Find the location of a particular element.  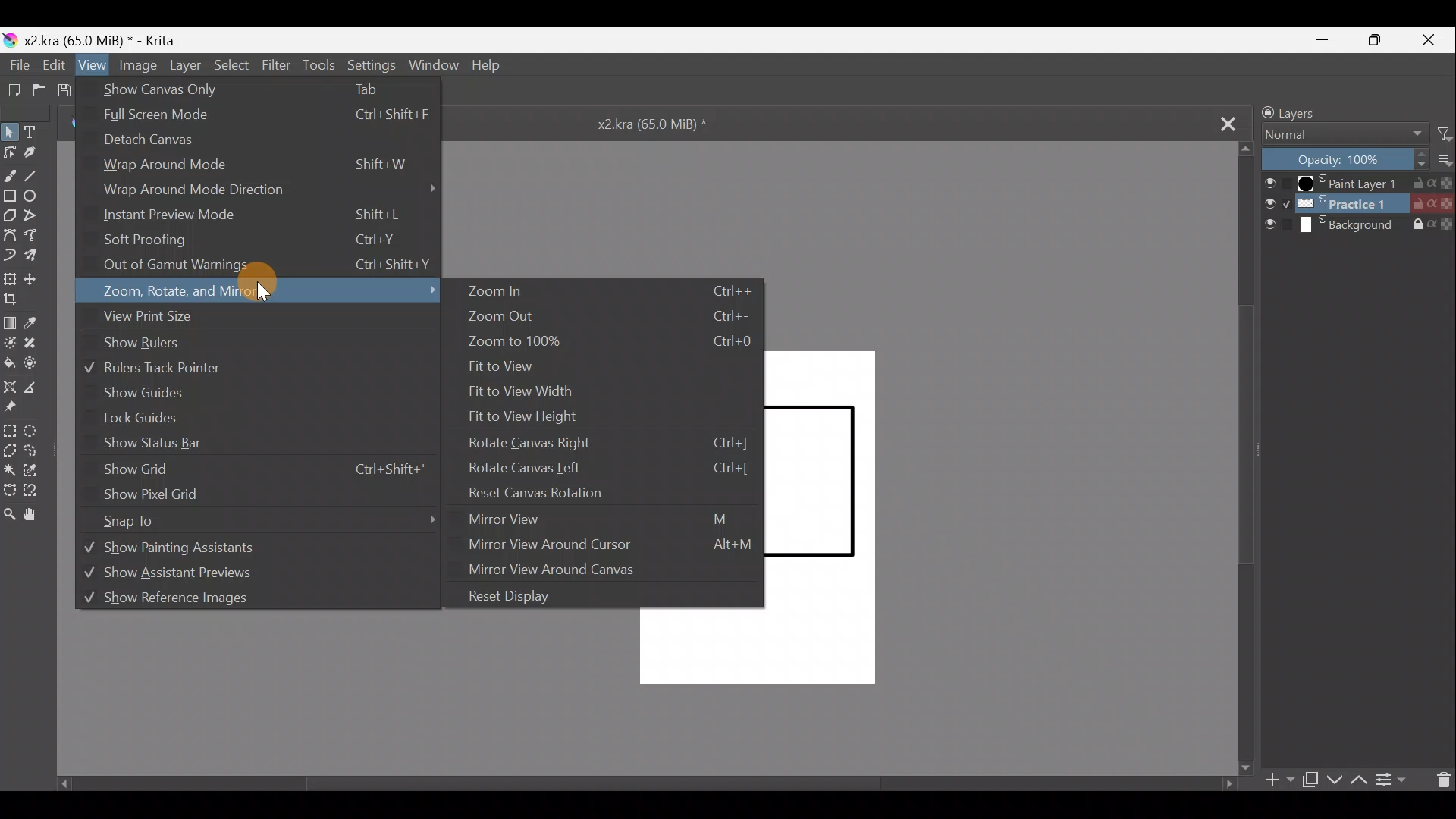

Select shapes tool is located at coordinates (11, 131).